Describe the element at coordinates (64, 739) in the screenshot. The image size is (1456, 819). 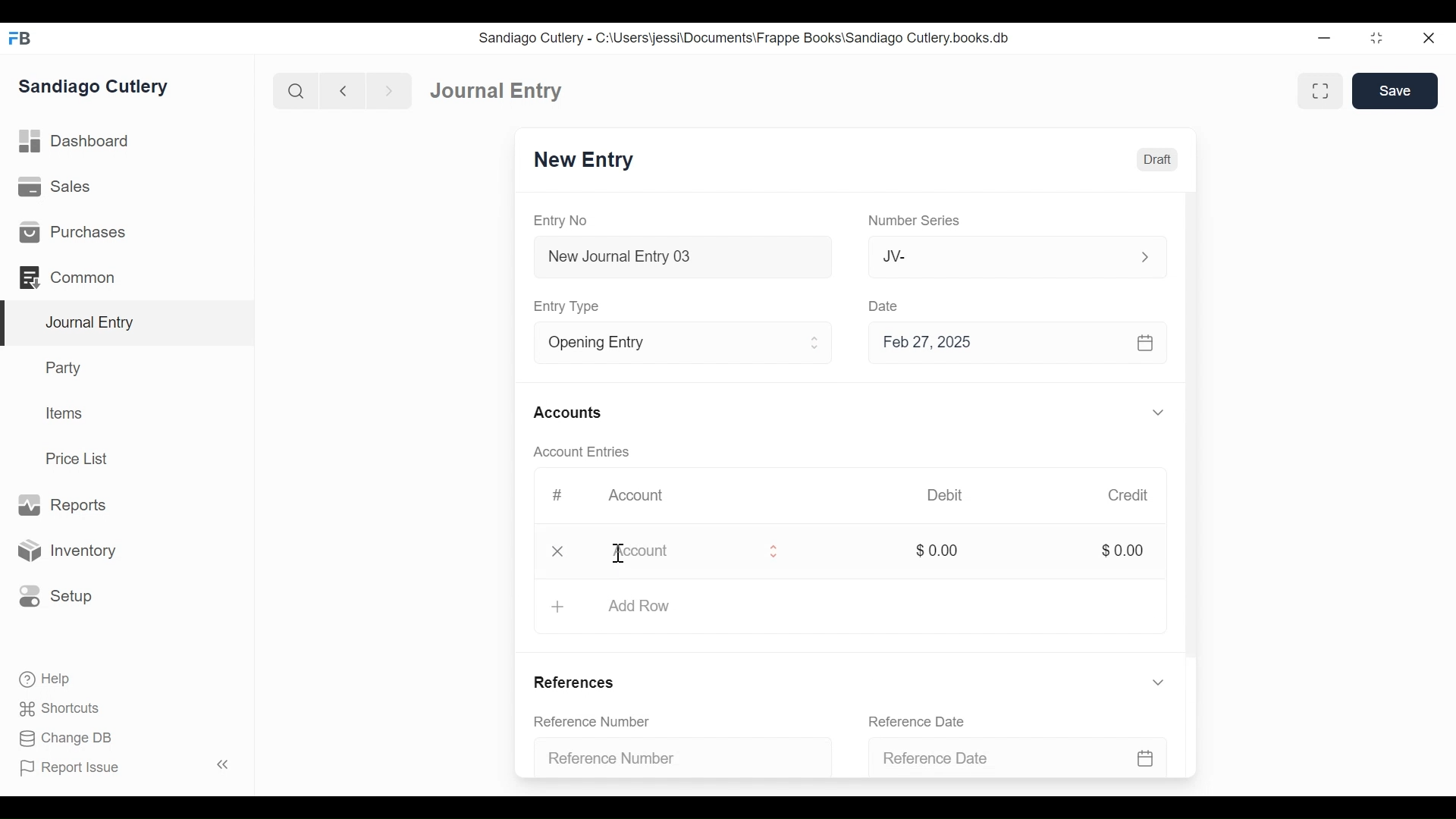
I see `Change DB` at that location.